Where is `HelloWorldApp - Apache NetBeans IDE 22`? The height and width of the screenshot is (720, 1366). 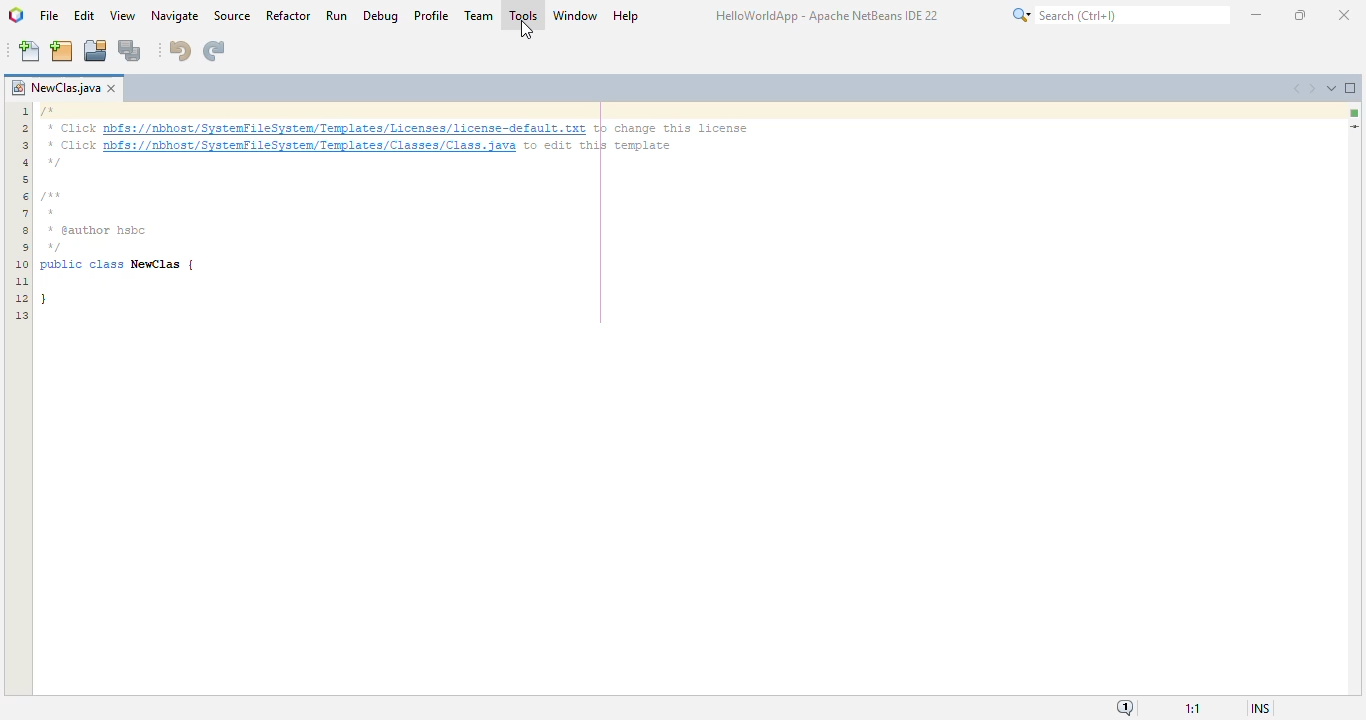 HelloWorldApp - Apache NetBeans IDE 22 is located at coordinates (826, 18).